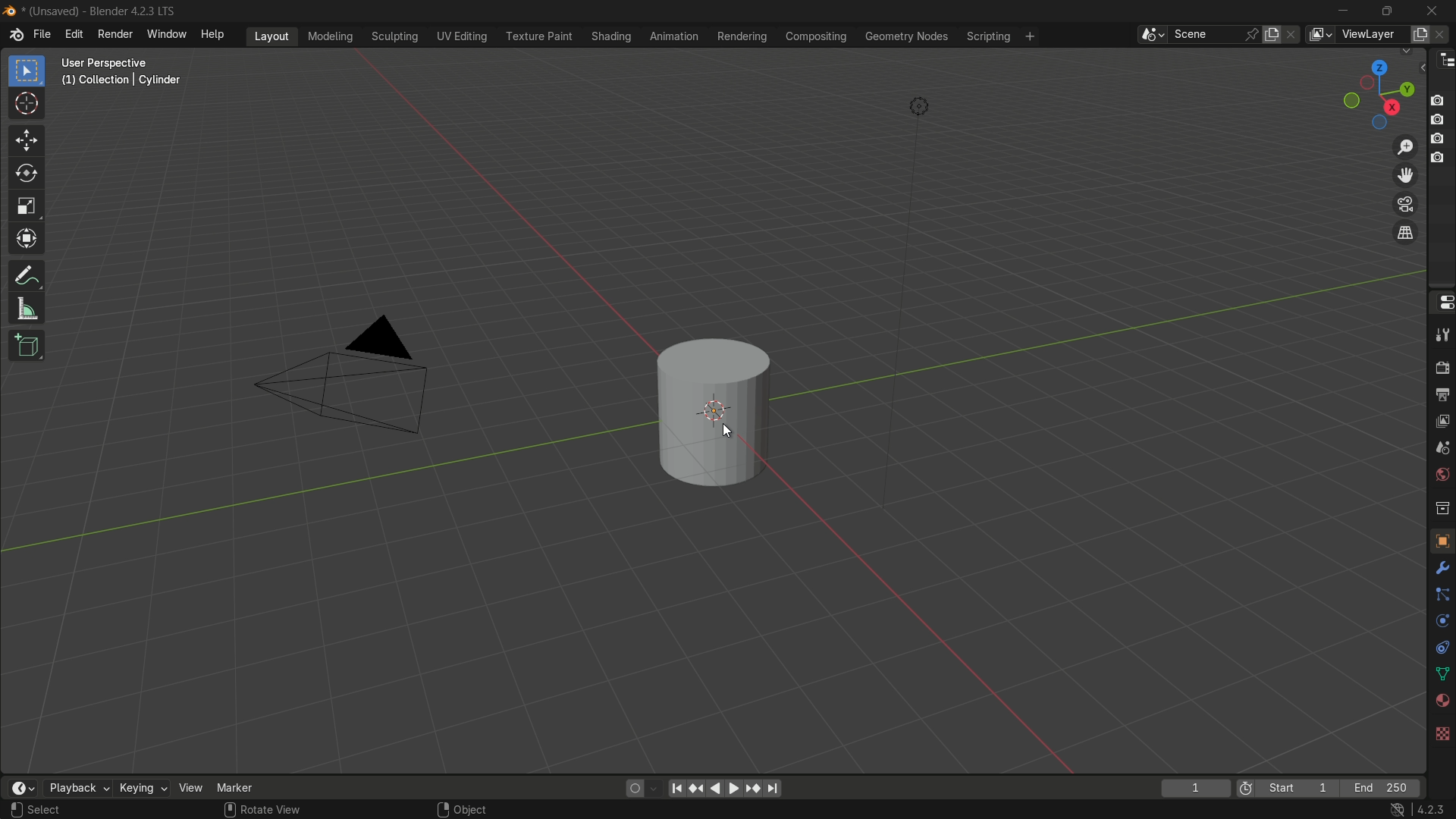  I want to click on light, so click(921, 107).